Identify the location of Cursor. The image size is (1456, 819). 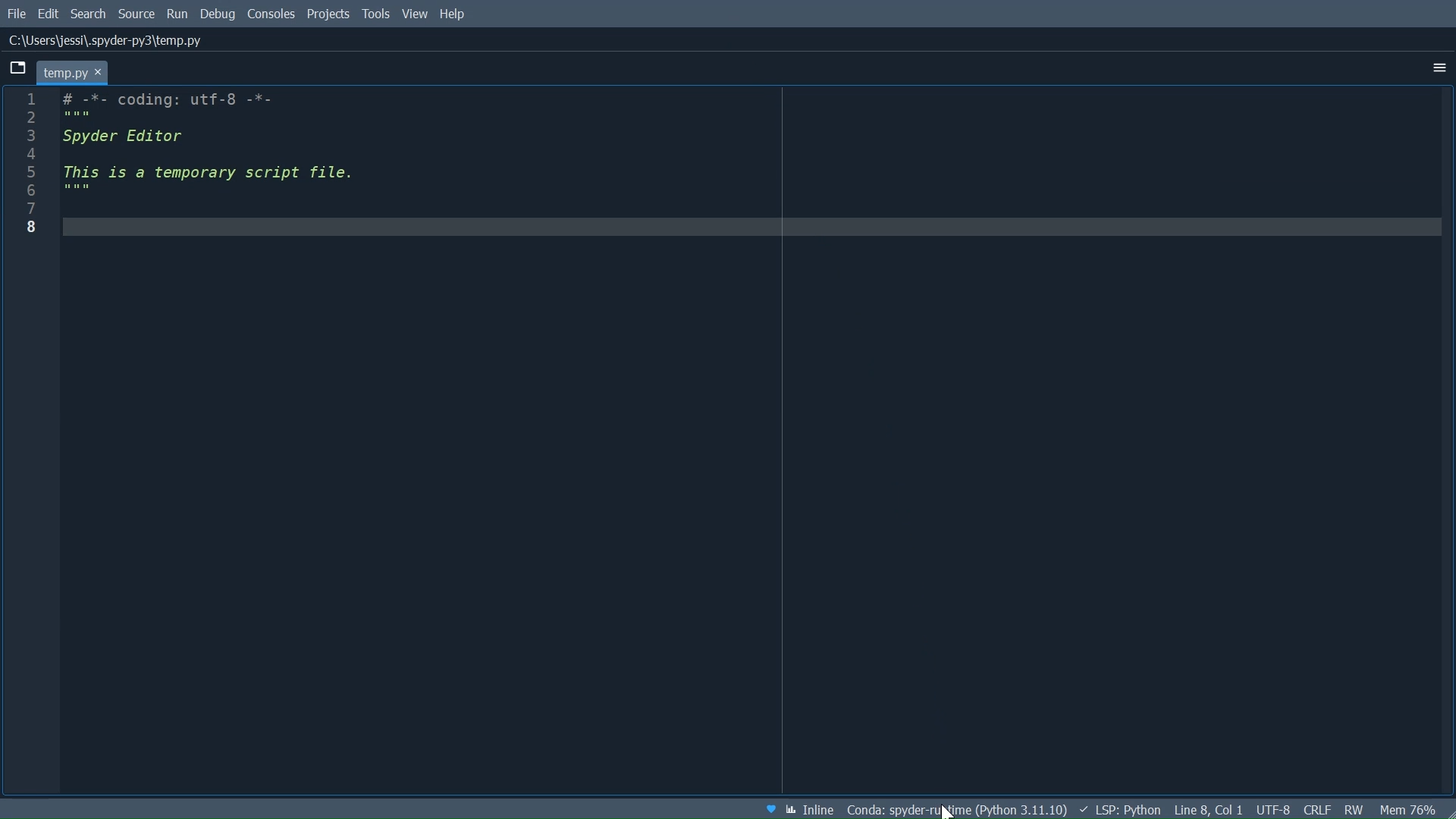
(949, 812).